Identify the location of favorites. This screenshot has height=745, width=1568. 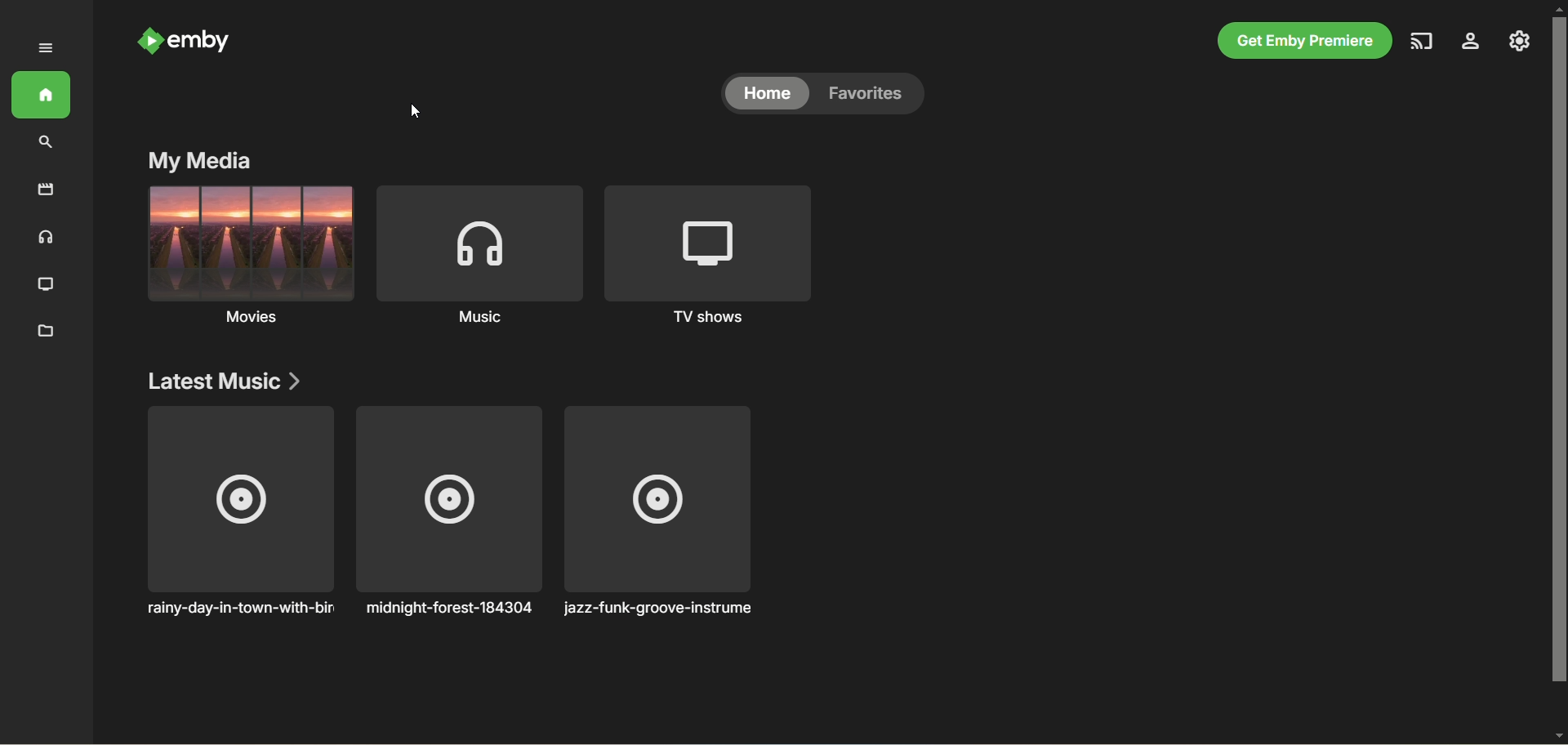
(876, 96).